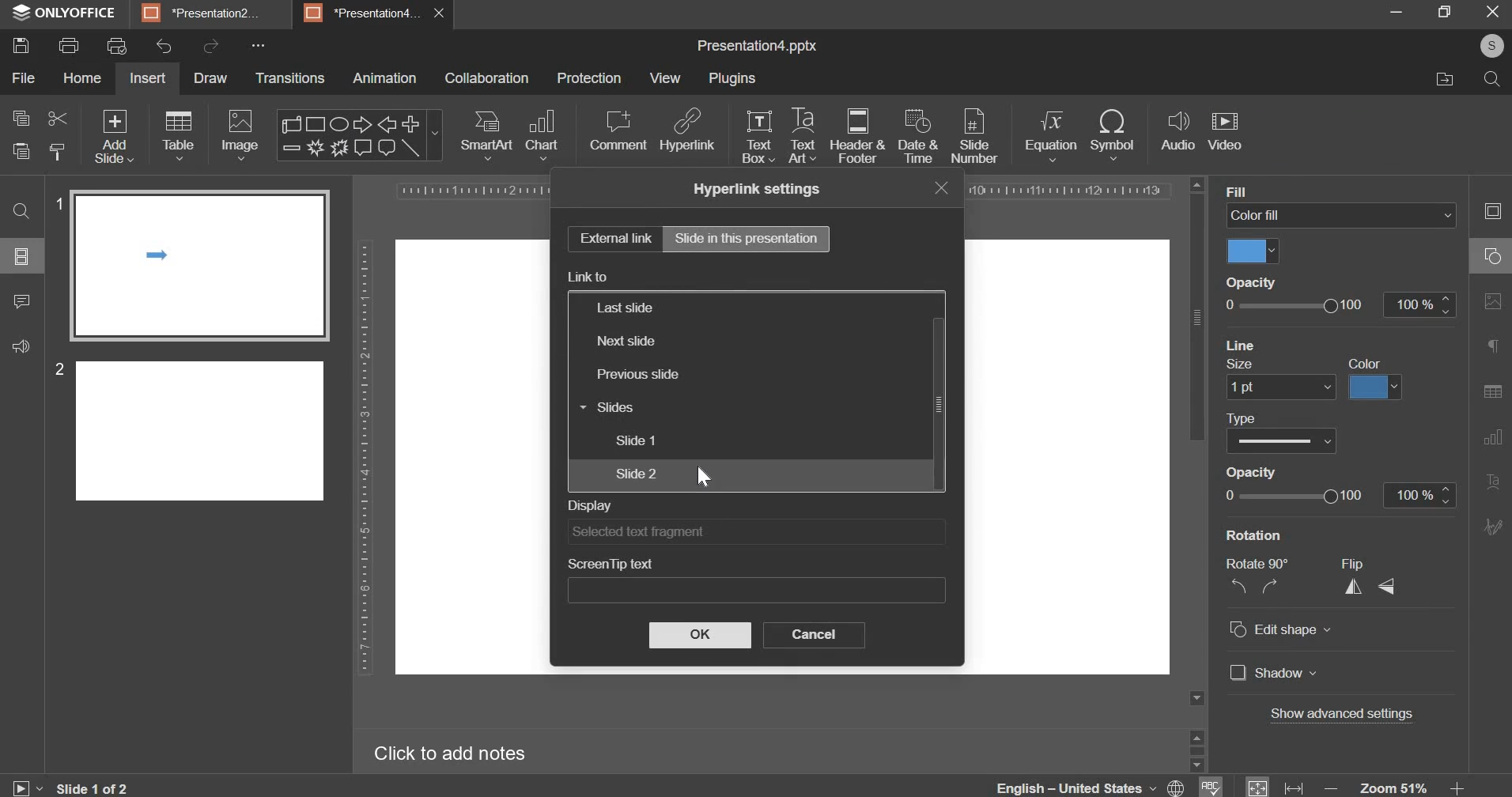 Image resolution: width=1512 pixels, height=797 pixels. Describe the element at coordinates (1341, 304) in the screenshot. I see `opacity` at that location.